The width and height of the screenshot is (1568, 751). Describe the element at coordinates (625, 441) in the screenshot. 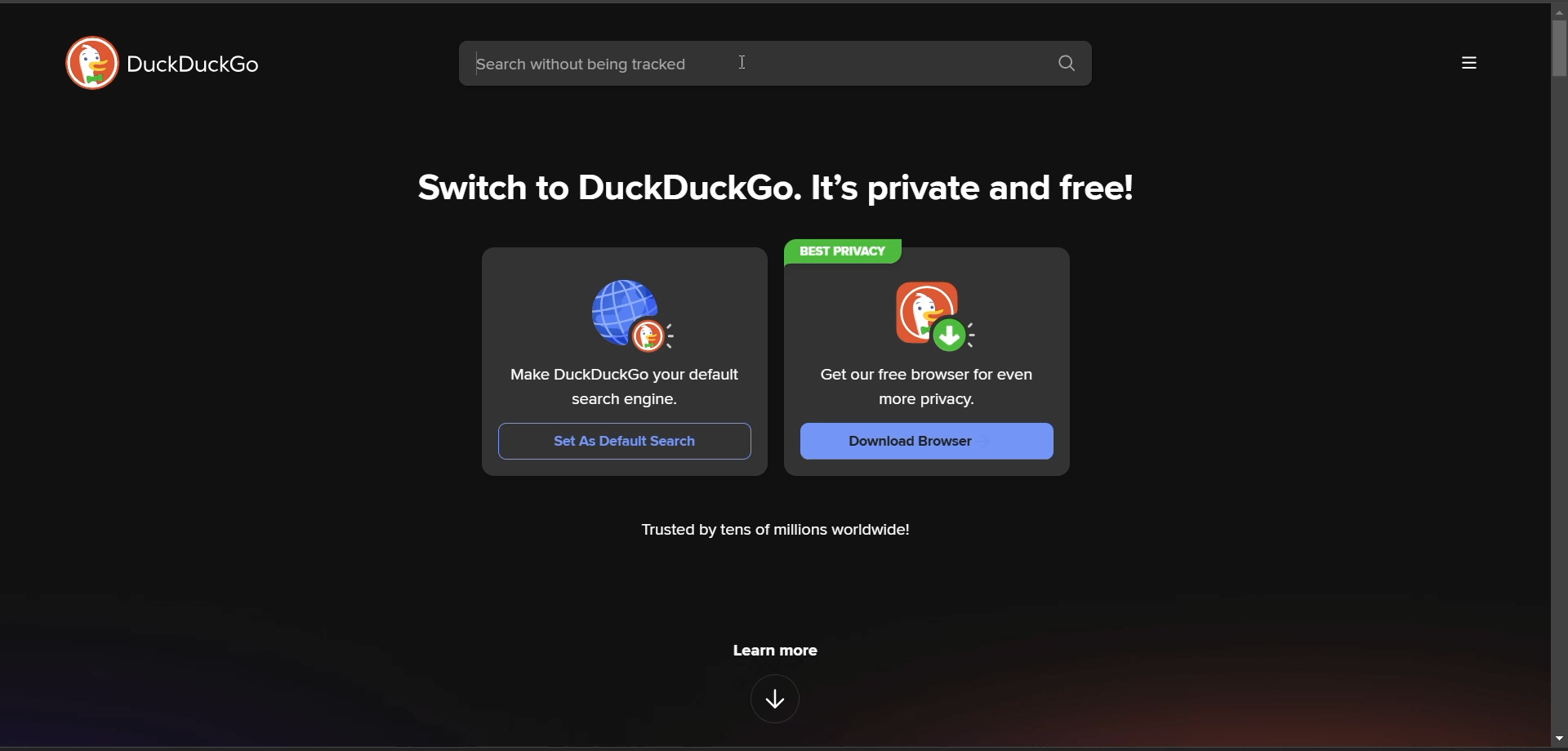

I see `Set As Default Search` at that location.